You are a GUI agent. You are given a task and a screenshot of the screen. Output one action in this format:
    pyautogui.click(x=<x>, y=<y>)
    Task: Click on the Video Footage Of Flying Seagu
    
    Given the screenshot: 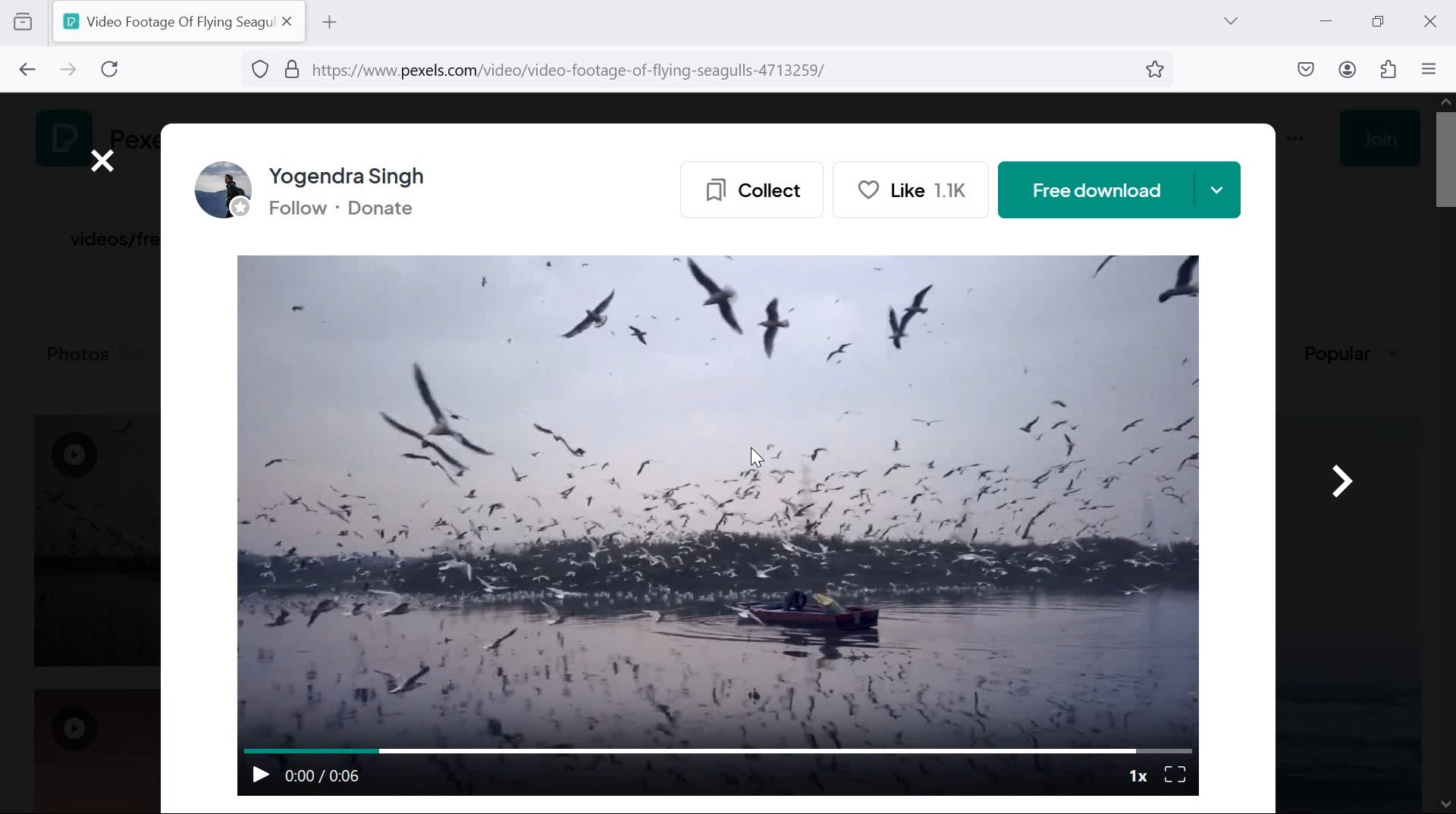 What is the action you would take?
    pyautogui.click(x=165, y=21)
    